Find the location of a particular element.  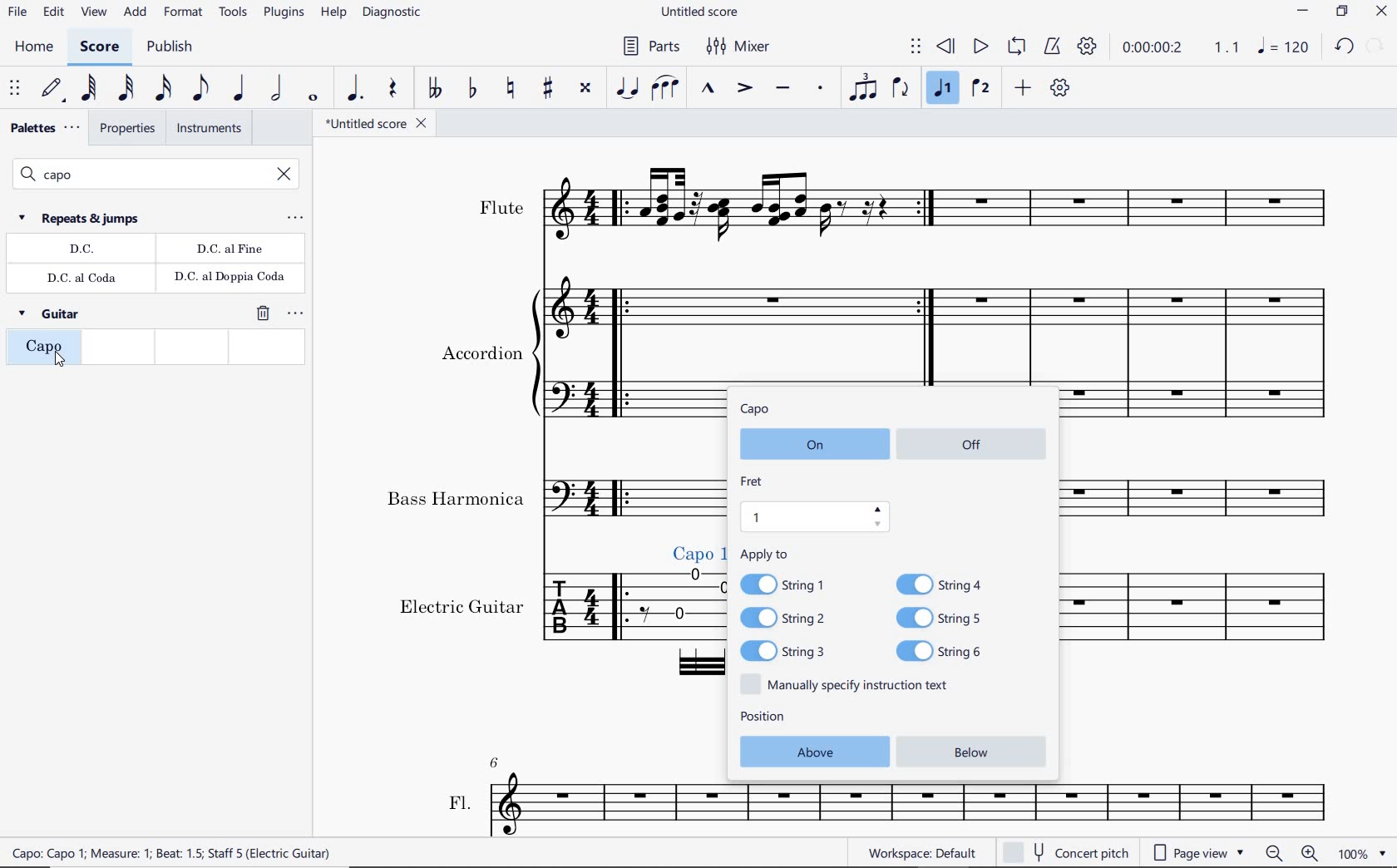

palette properties is located at coordinates (294, 219).